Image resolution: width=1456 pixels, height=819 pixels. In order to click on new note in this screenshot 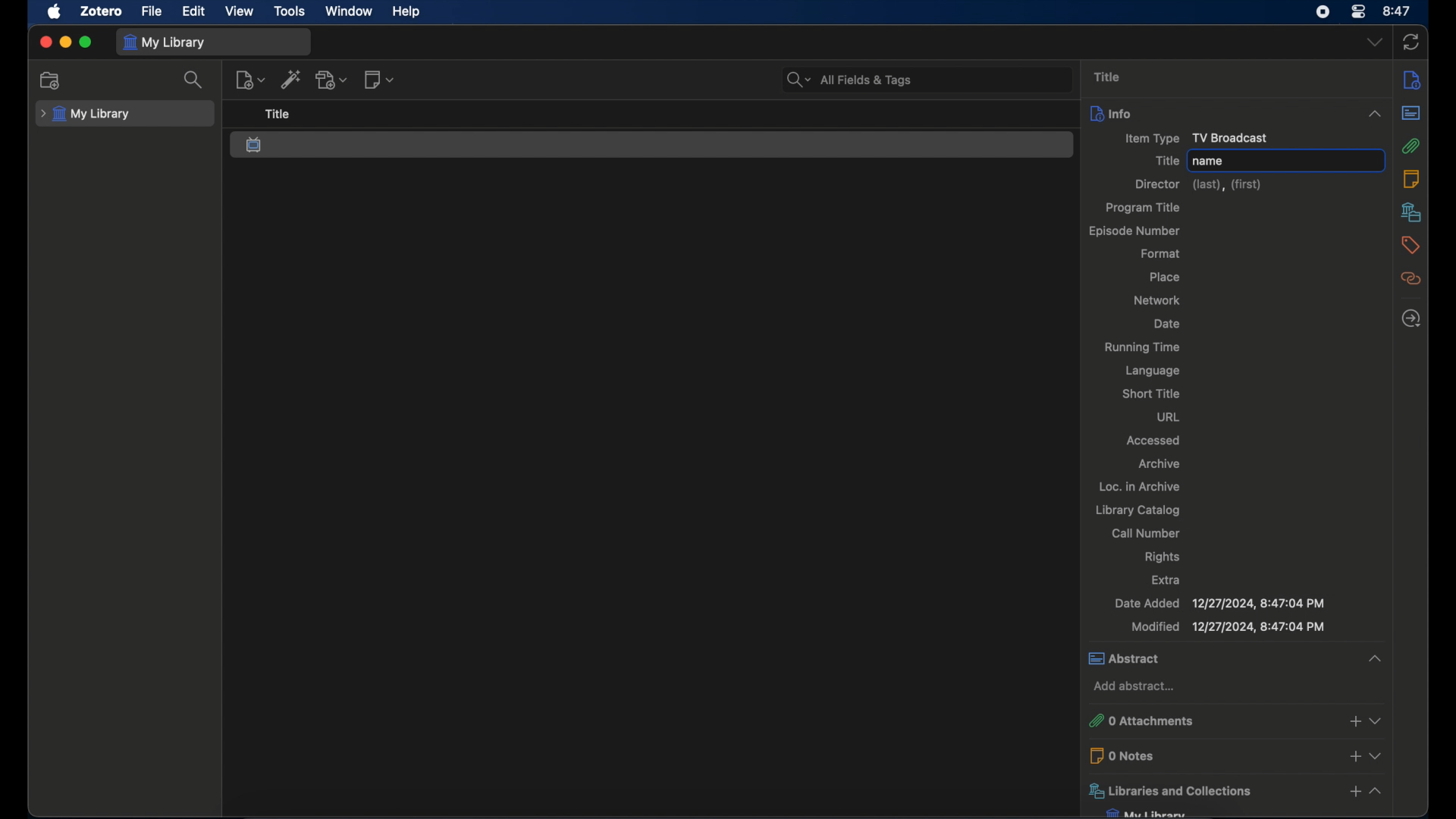, I will do `click(378, 80)`.